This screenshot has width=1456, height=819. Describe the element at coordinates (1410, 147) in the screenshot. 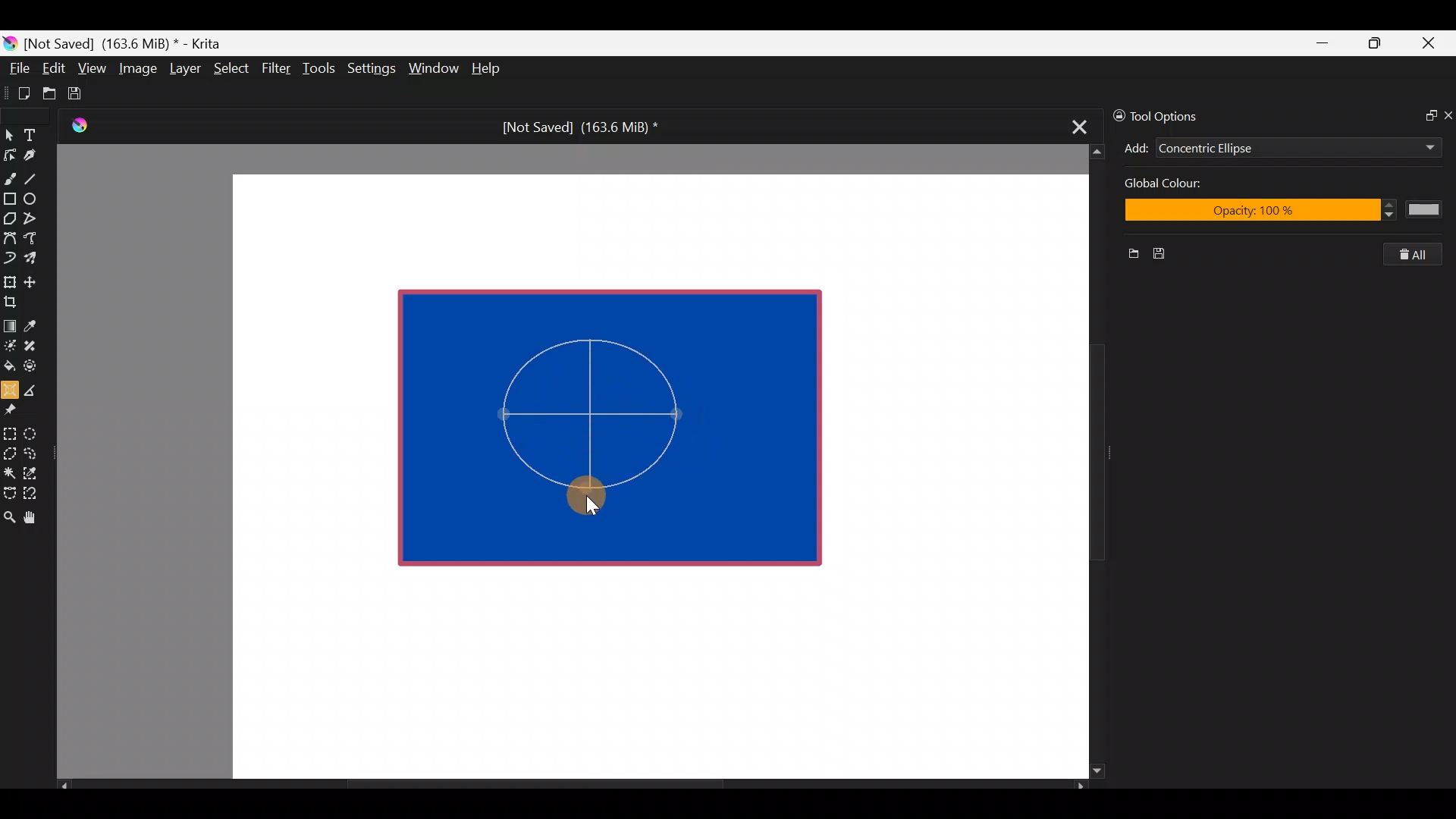

I see `Add dropdown` at that location.